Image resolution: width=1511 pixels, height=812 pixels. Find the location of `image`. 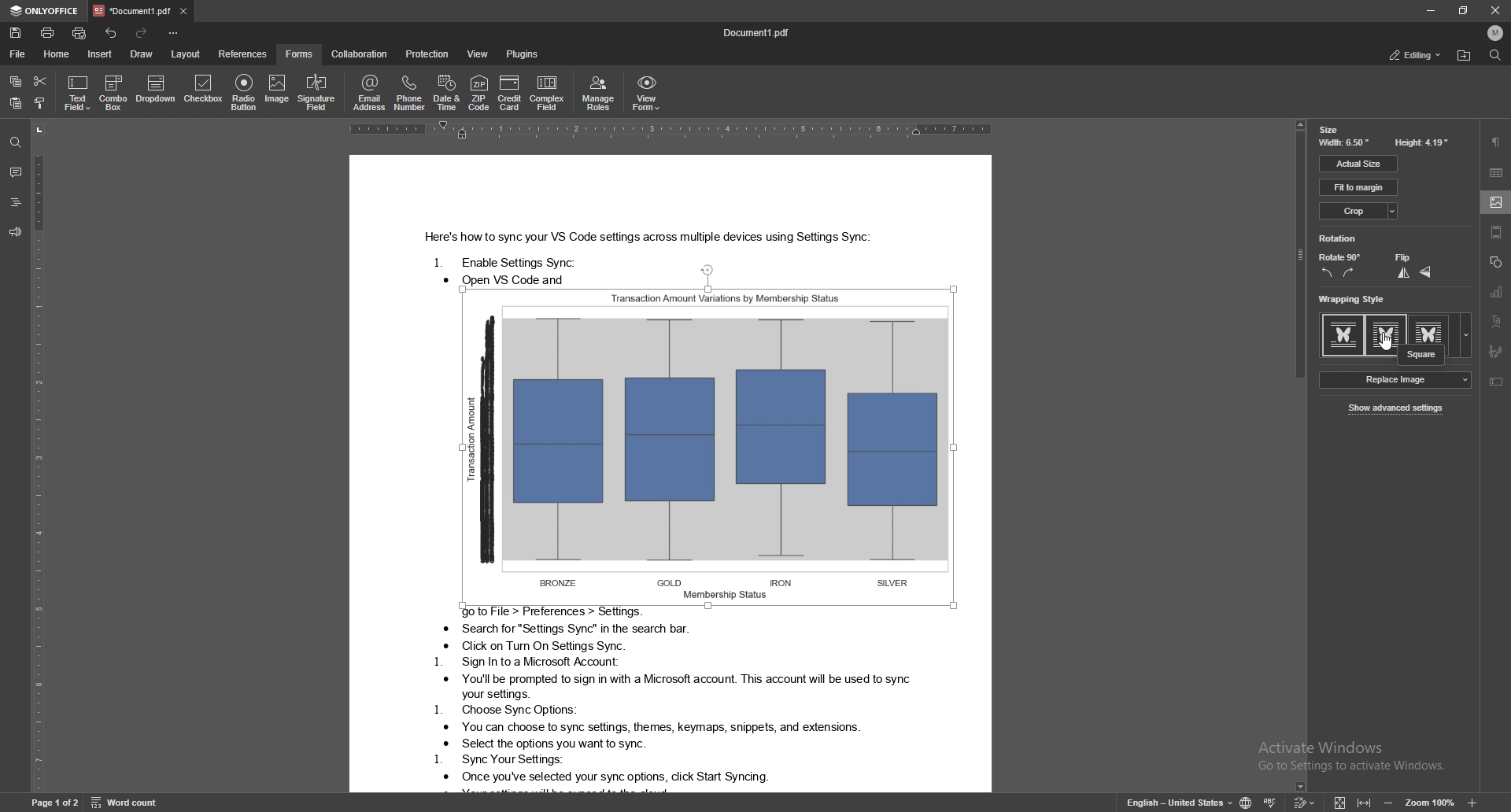

image is located at coordinates (276, 90).